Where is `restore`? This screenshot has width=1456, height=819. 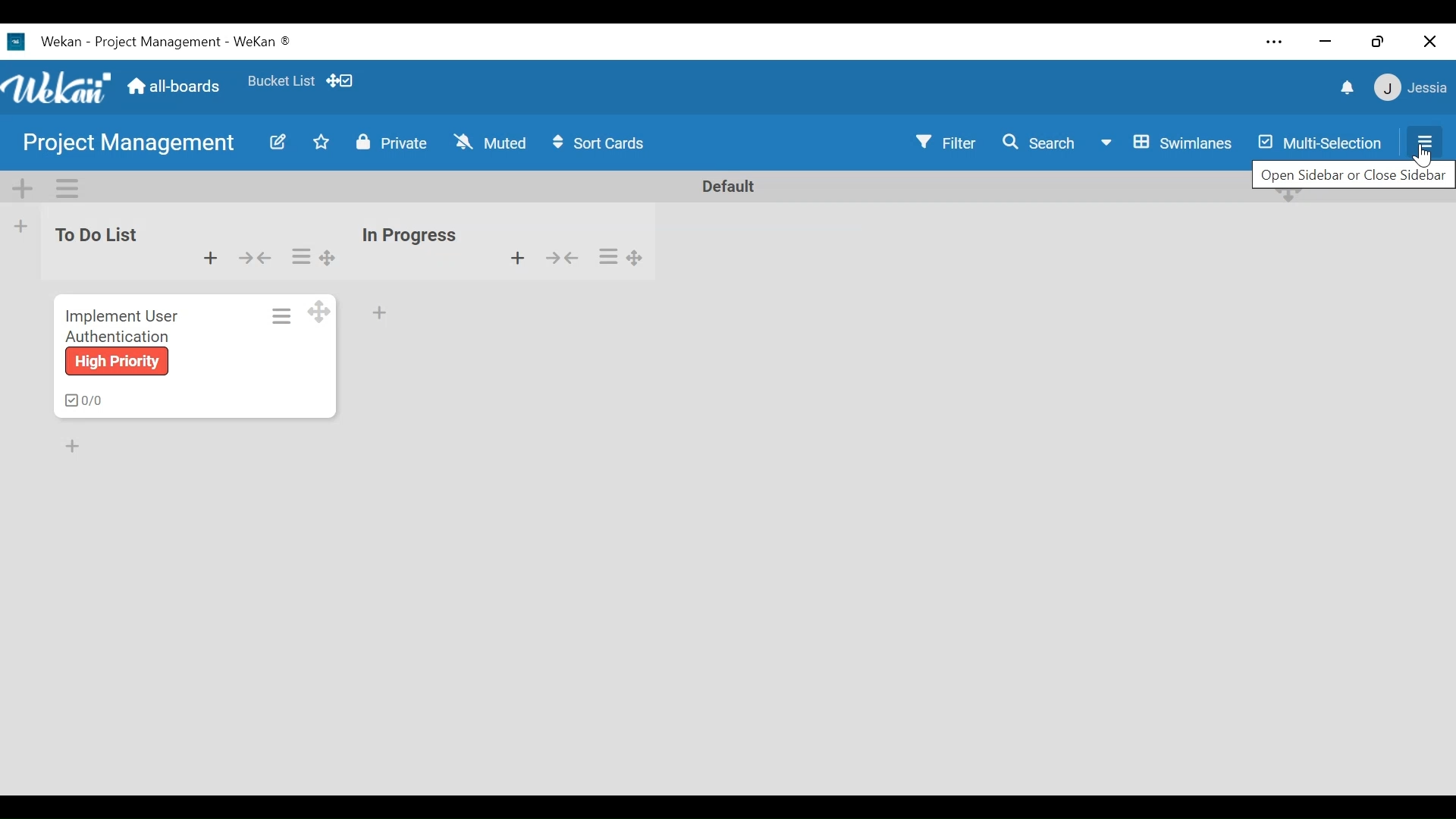
restore is located at coordinates (1377, 41).